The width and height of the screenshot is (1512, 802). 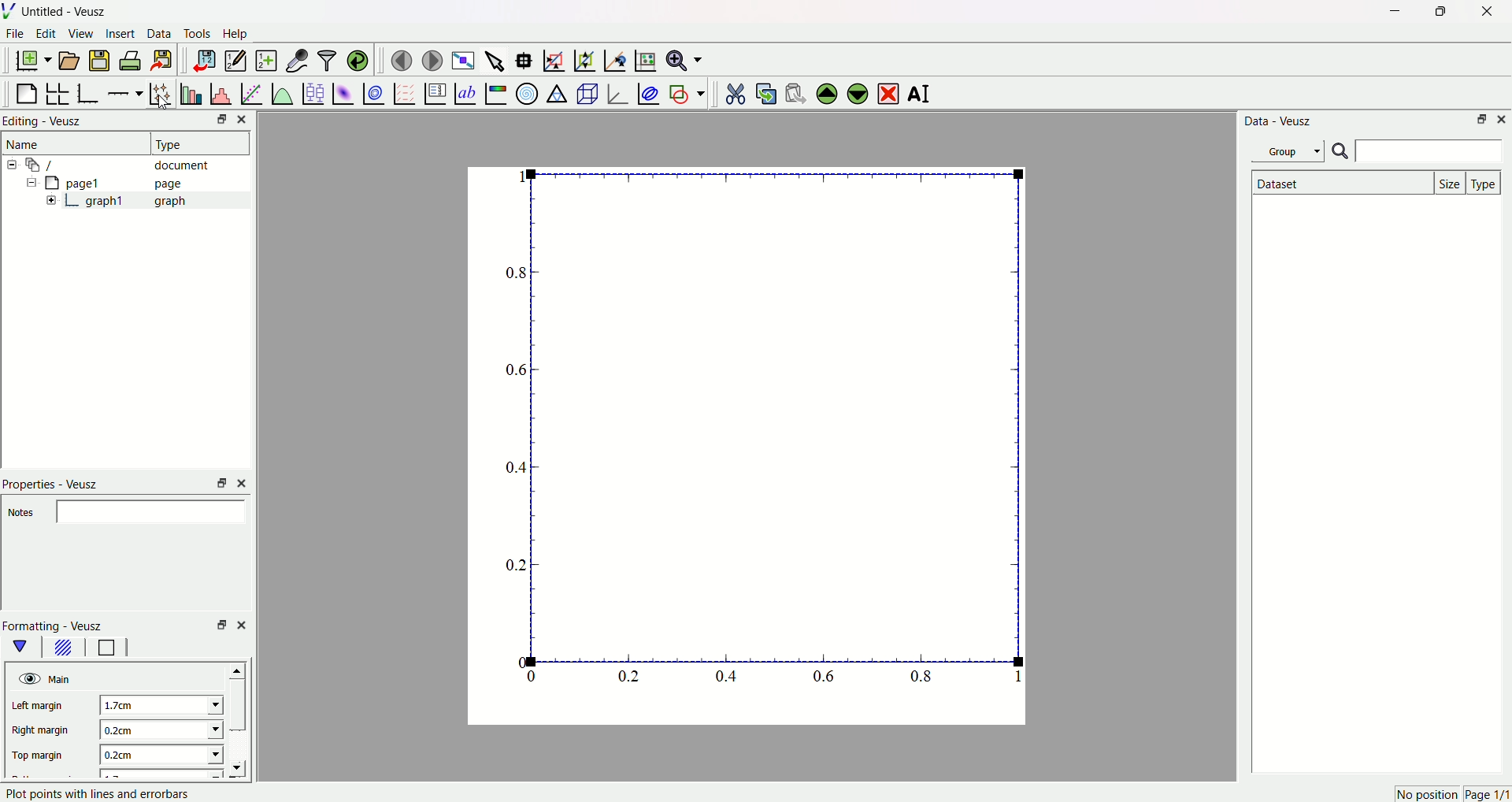 I want to click on enter notes field, so click(x=154, y=511).